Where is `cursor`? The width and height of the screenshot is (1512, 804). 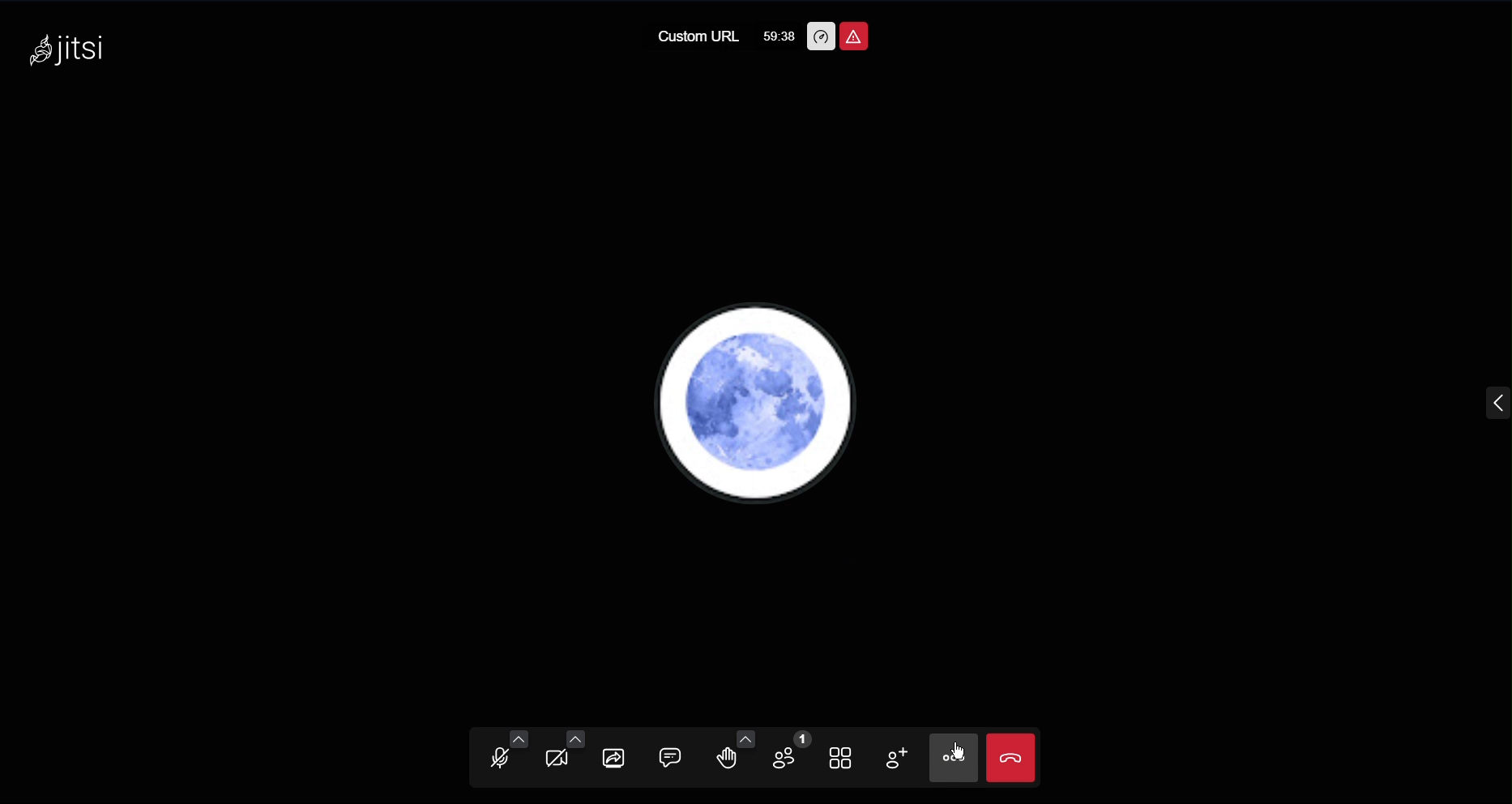
cursor is located at coordinates (960, 751).